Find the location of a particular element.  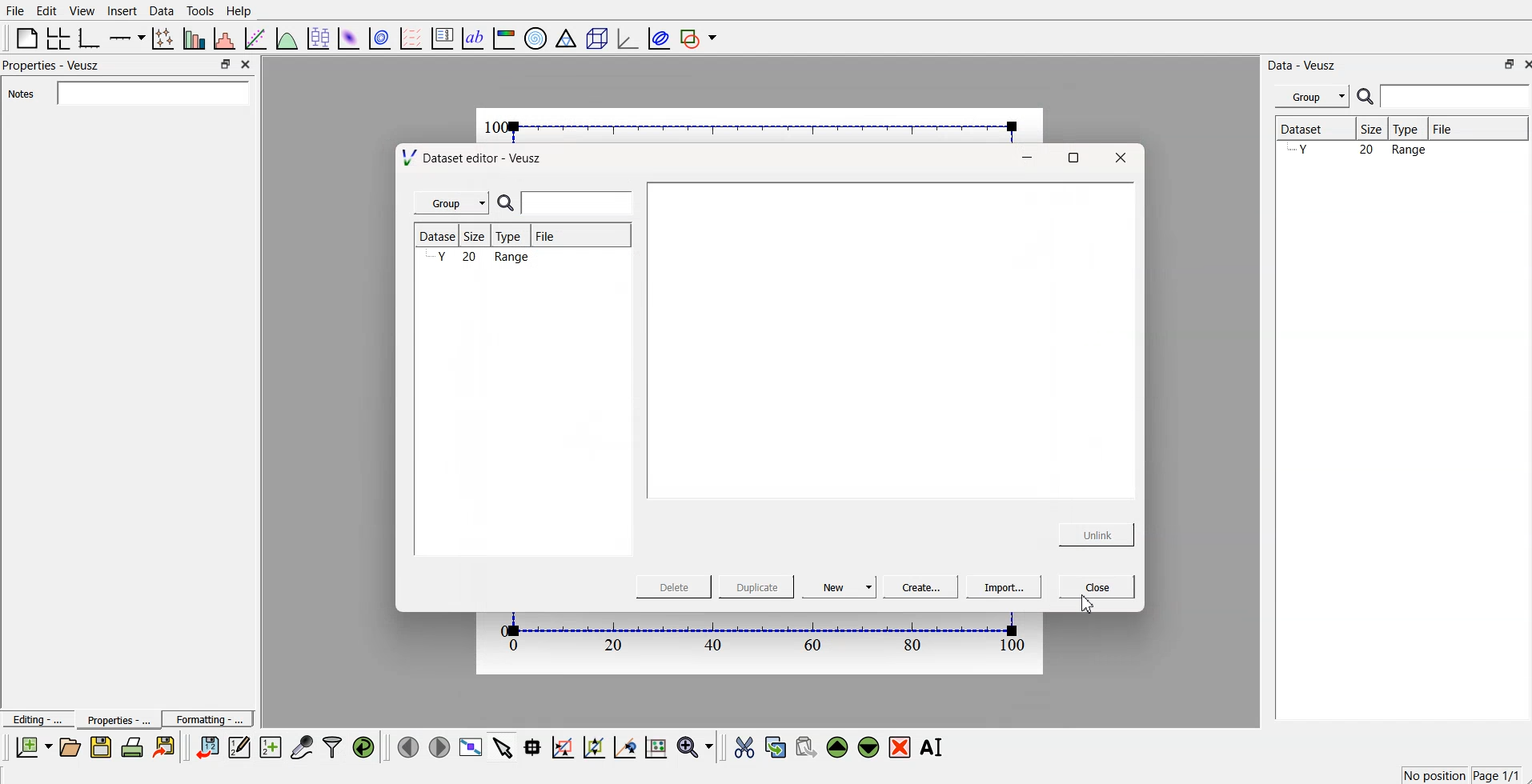

canvas is located at coordinates (761, 124).